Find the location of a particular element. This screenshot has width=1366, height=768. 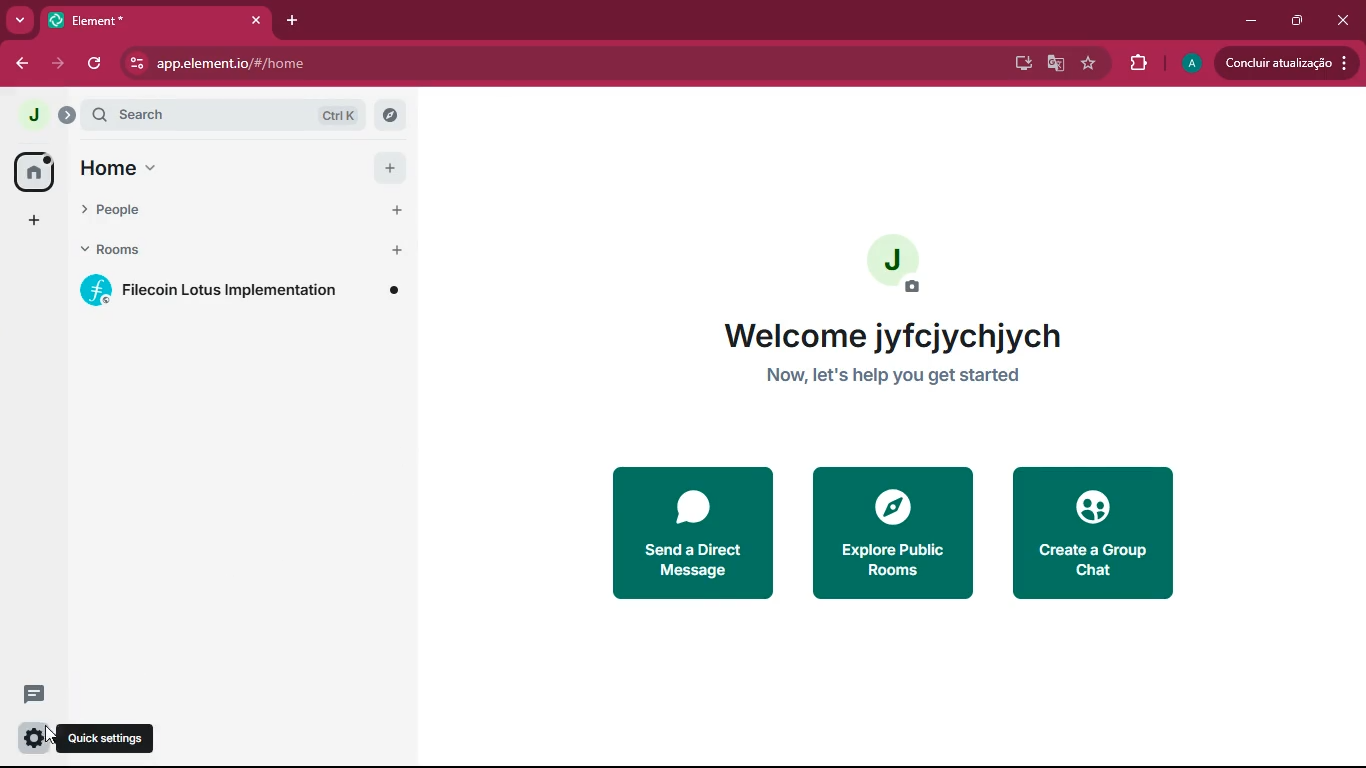

add is located at coordinates (396, 209).